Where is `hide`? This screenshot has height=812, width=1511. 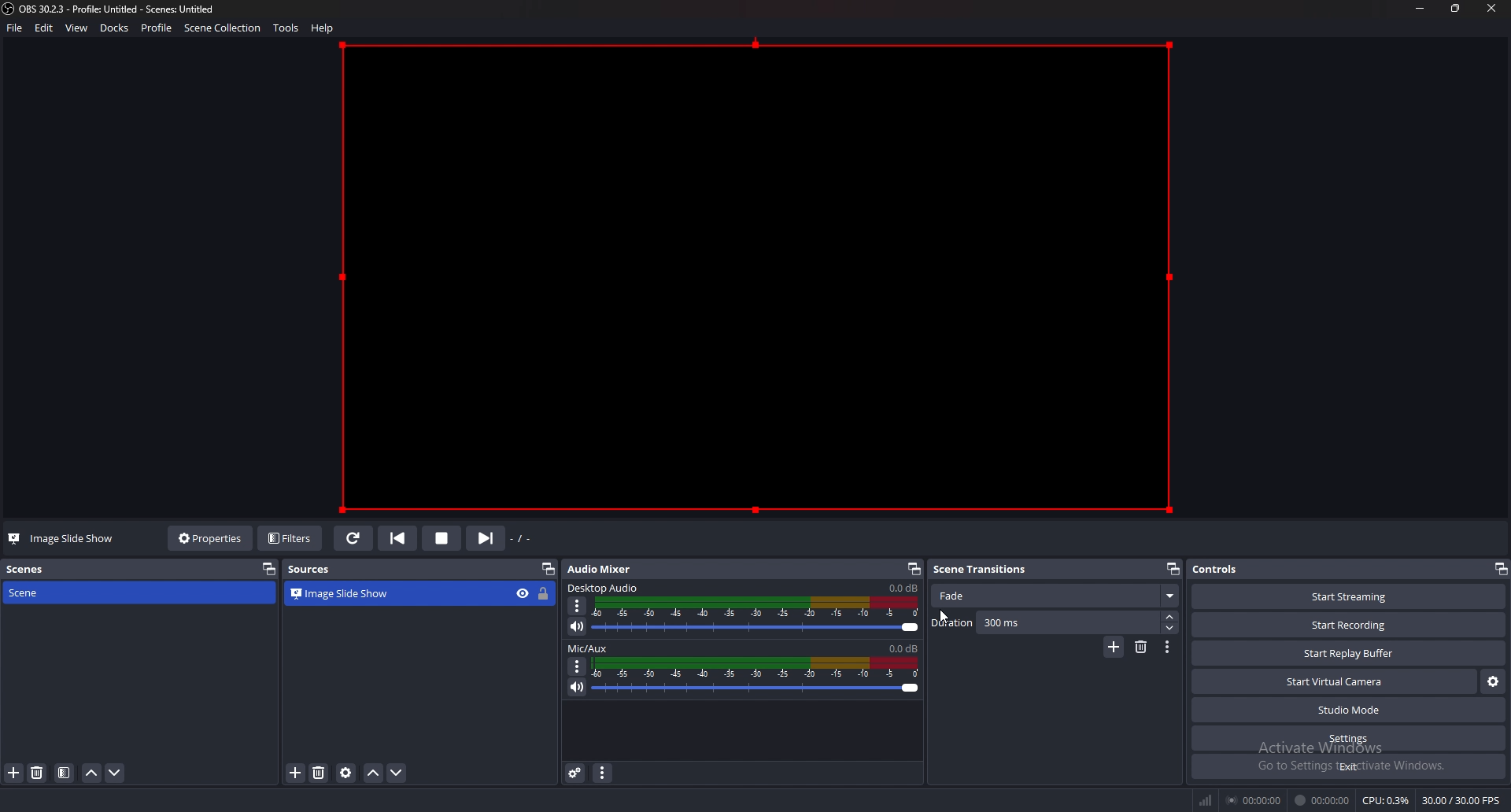 hide is located at coordinates (522, 593).